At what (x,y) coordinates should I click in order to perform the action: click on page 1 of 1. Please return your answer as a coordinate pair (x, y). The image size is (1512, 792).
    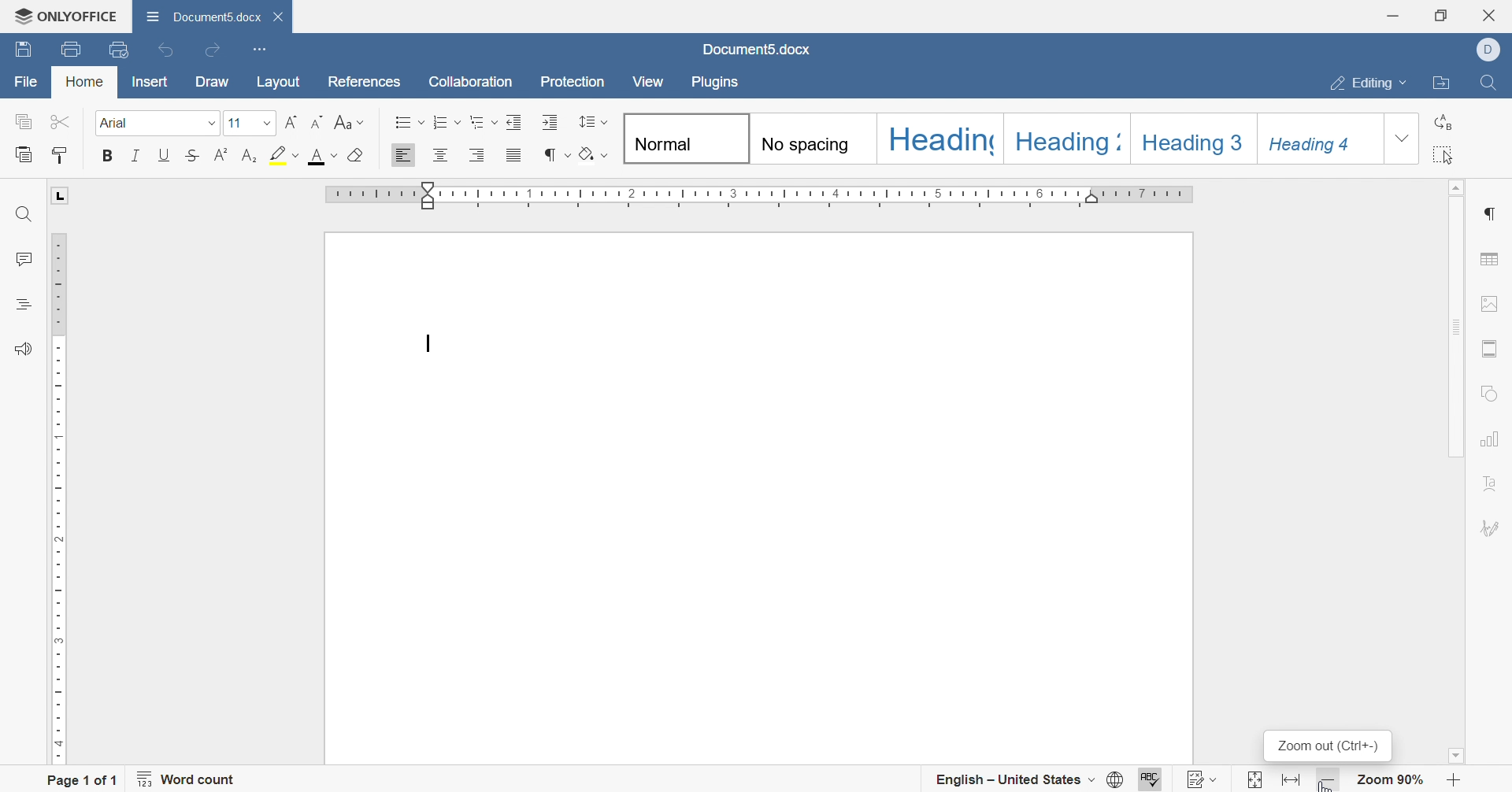
    Looking at the image, I should click on (83, 782).